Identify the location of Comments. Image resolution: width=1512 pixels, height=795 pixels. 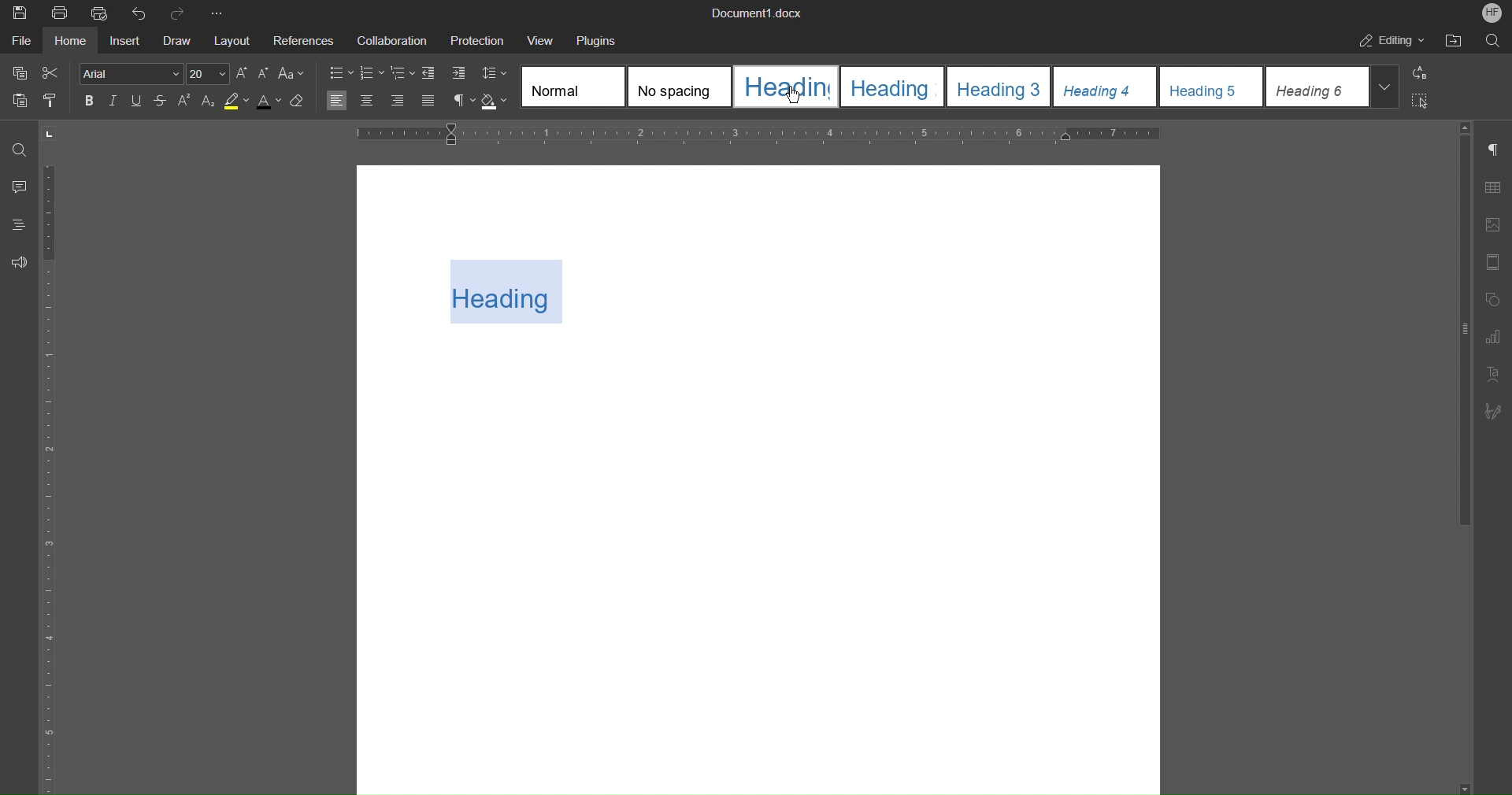
(15, 188).